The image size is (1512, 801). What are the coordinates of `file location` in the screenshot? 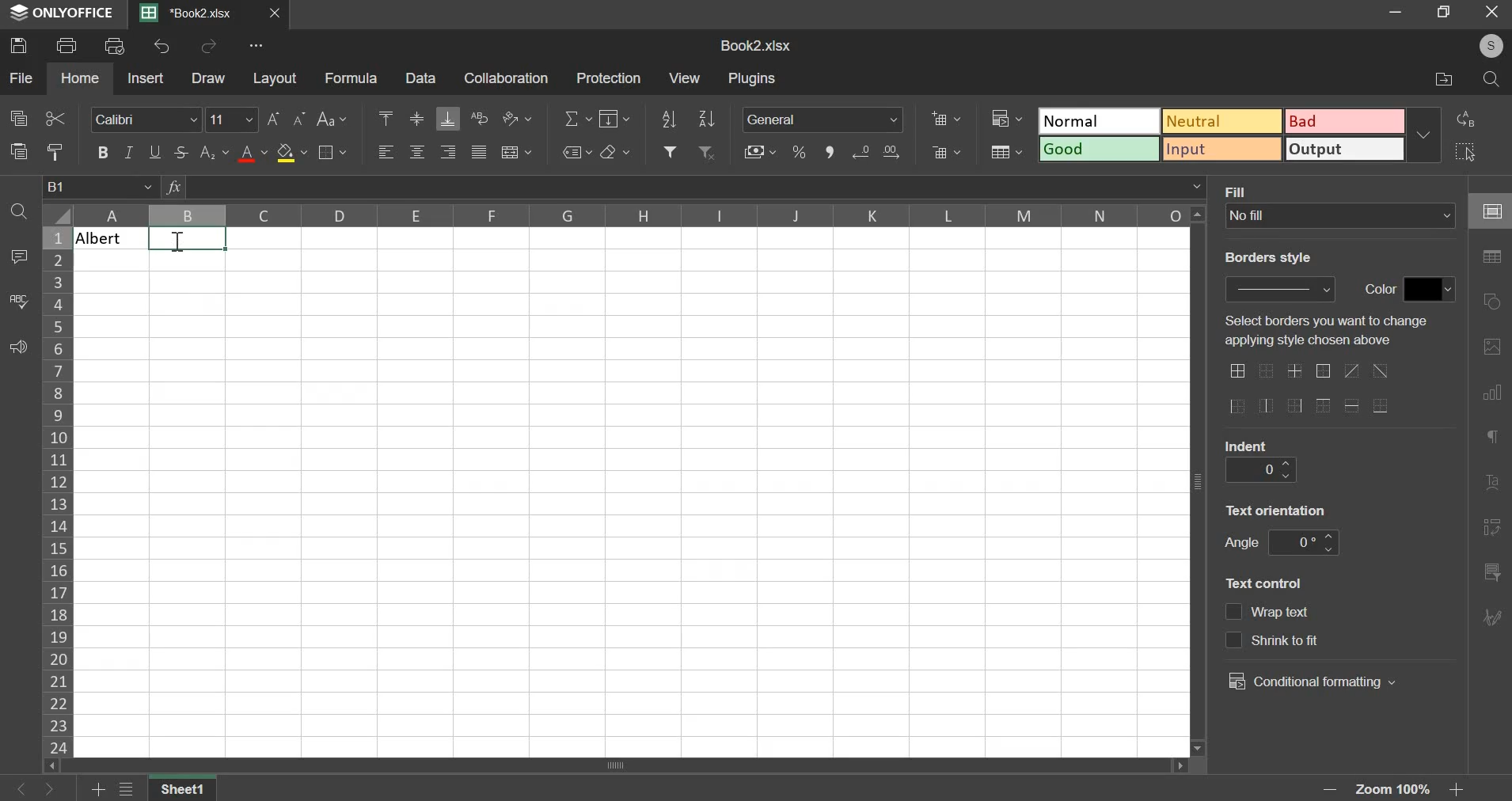 It's located at (1434, 77).